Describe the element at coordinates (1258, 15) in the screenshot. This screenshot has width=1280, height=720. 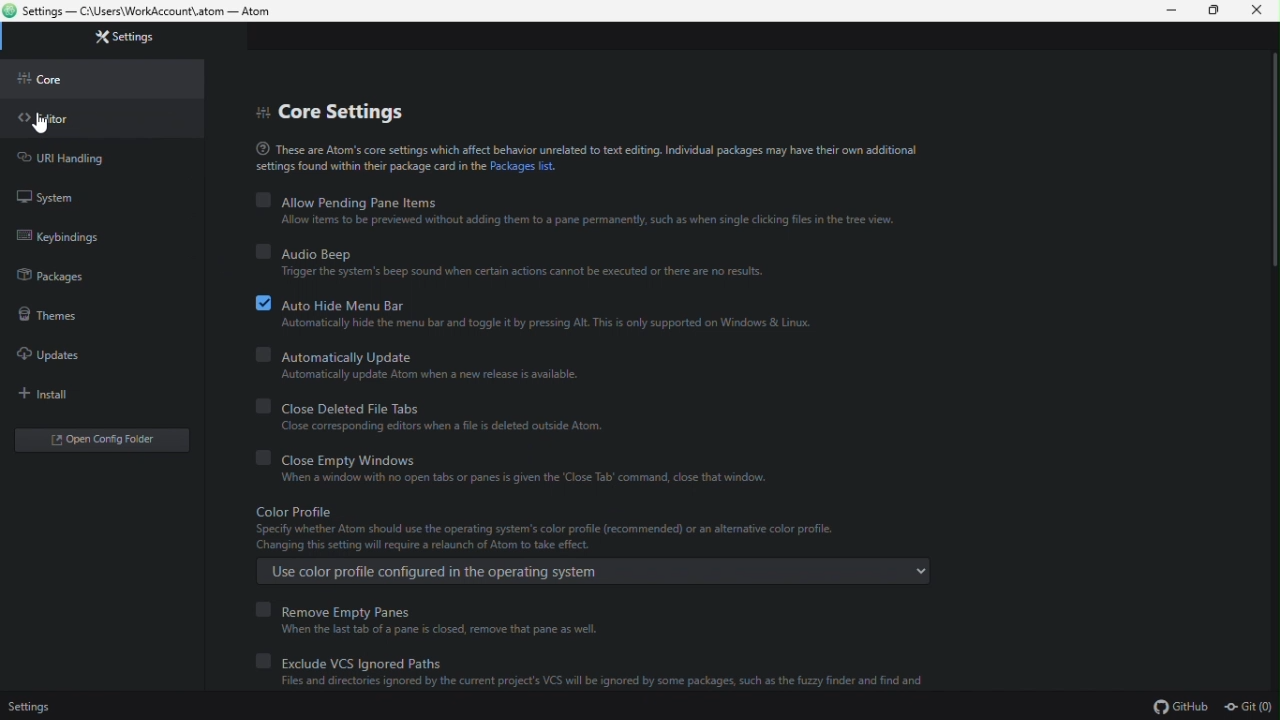
I see `Close` at that location.